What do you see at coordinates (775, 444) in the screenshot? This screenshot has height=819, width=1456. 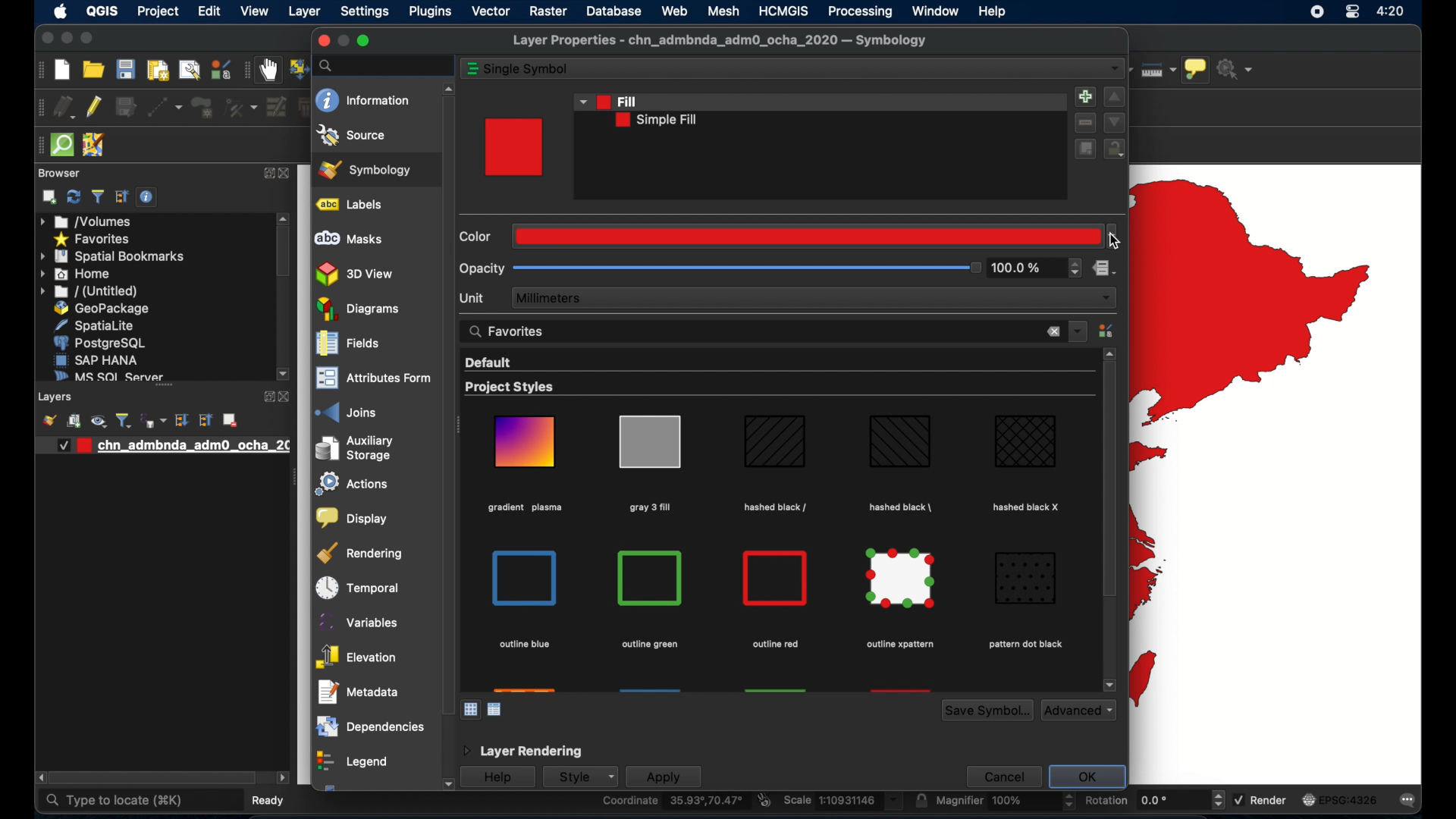 I see `Gradient preview ` at bounding box center [775, 444].